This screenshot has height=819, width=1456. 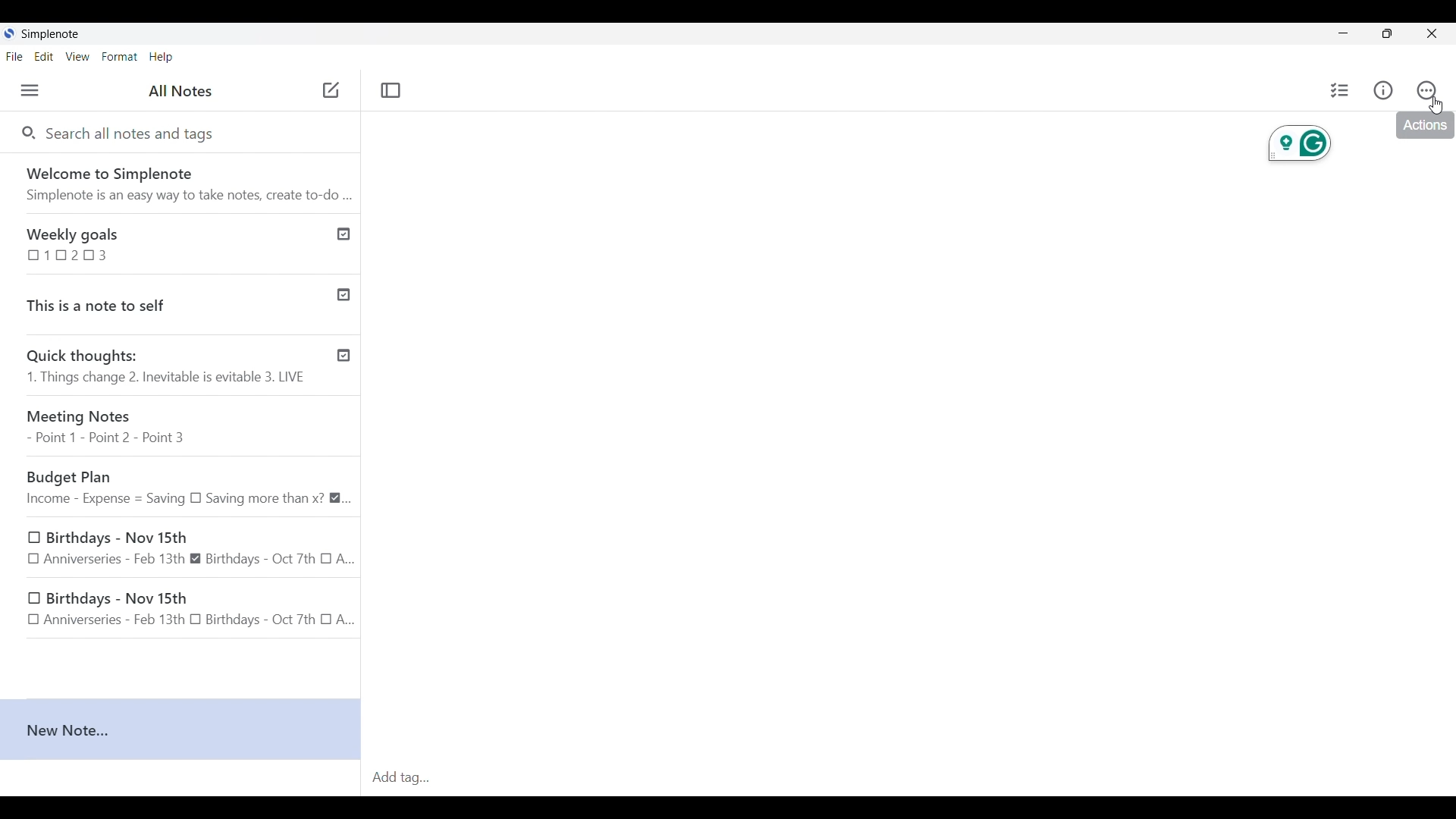 What do you see at coordinates (184, 610) in the screenshot?
I see `Birthdays - Nov 15th` at bounding box center [184, 610].